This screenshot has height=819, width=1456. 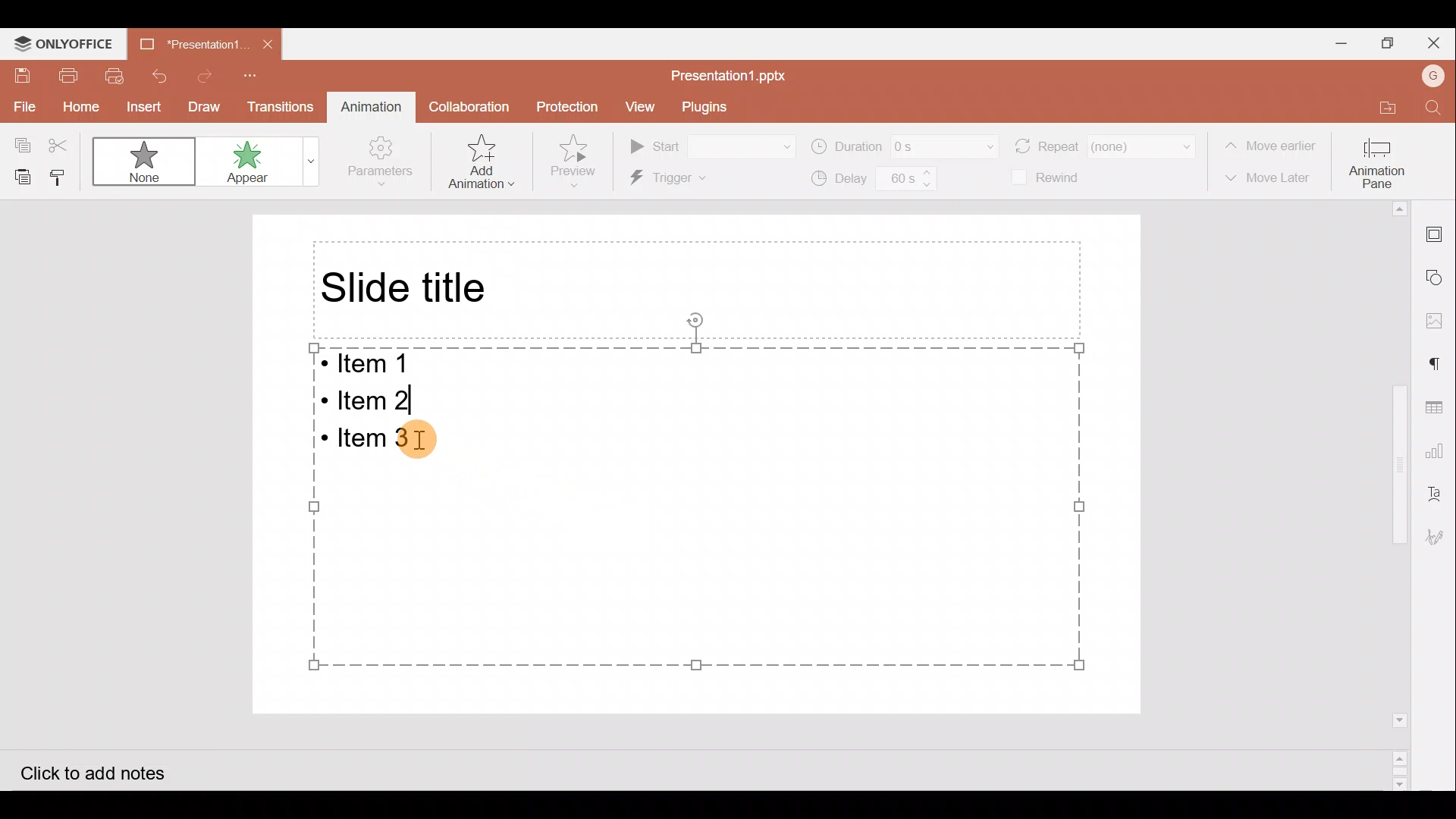 What do you see at coordinates (159, 73) in the screenshot?
I see `Undo` at bounding box center [159, 73].